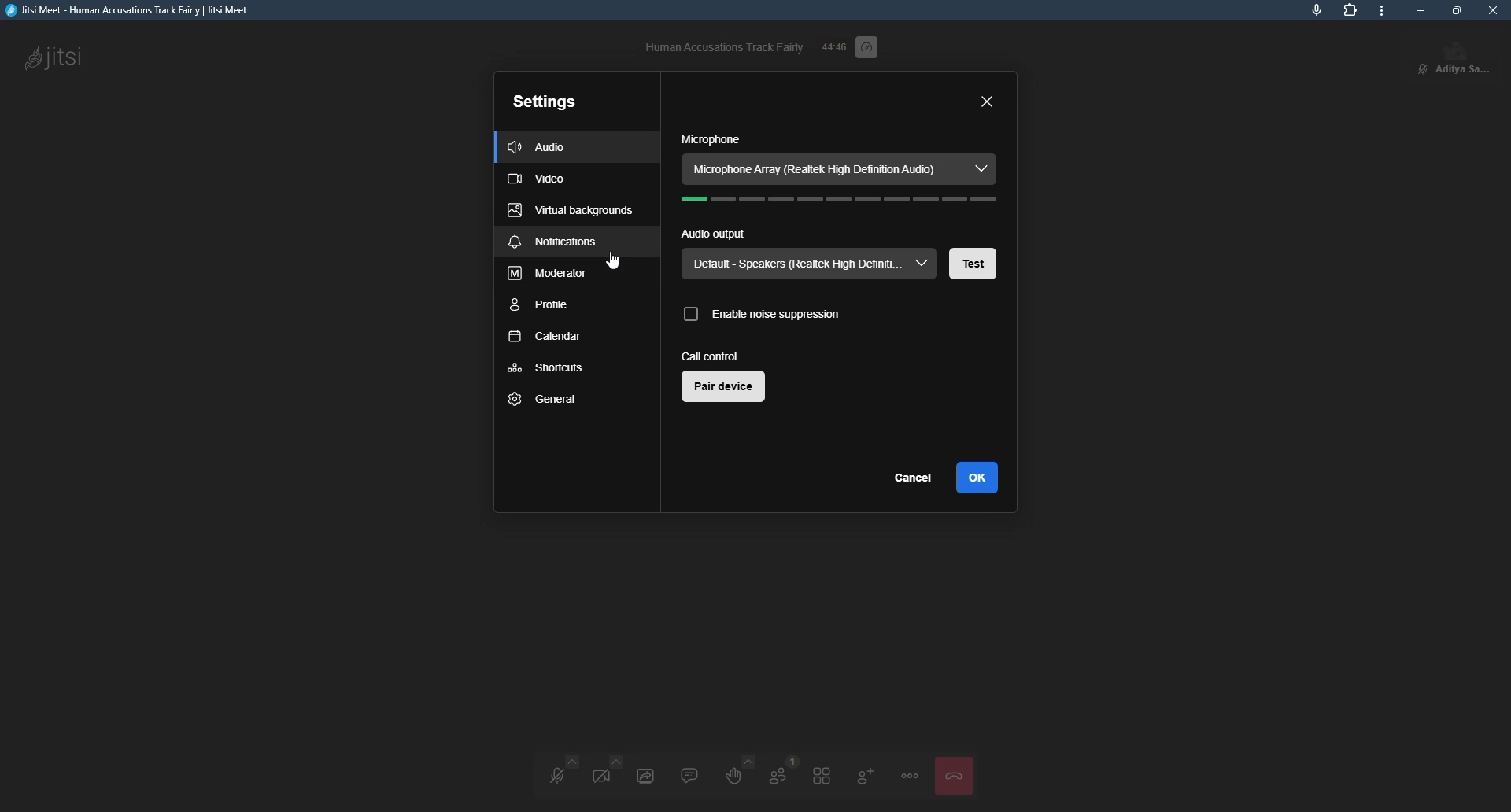 The width and height of the screenshot is (1511, 812). I want to click on close, so click(988, 102).